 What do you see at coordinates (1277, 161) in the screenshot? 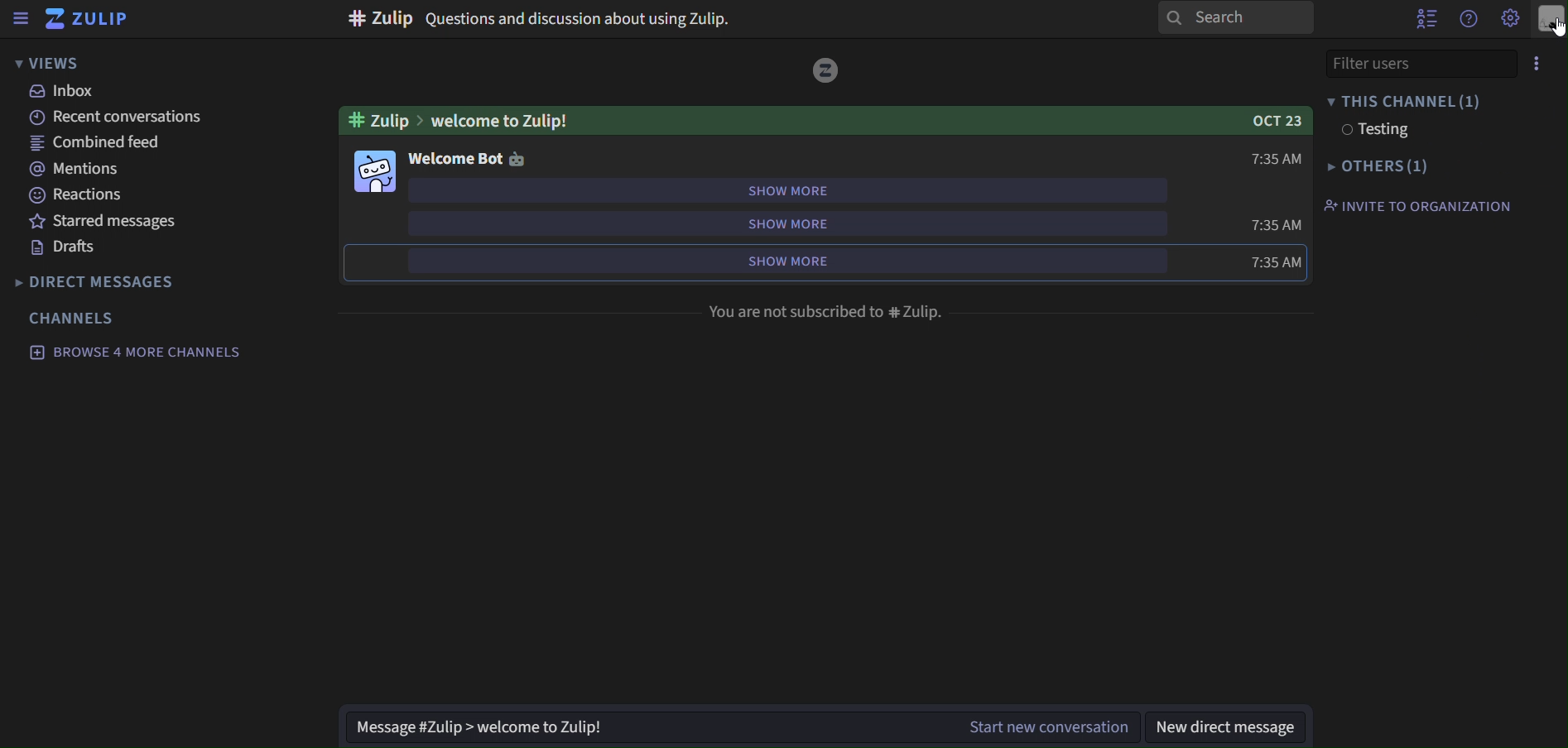
I see `7:35 am` at bounding box center [1277, 161].